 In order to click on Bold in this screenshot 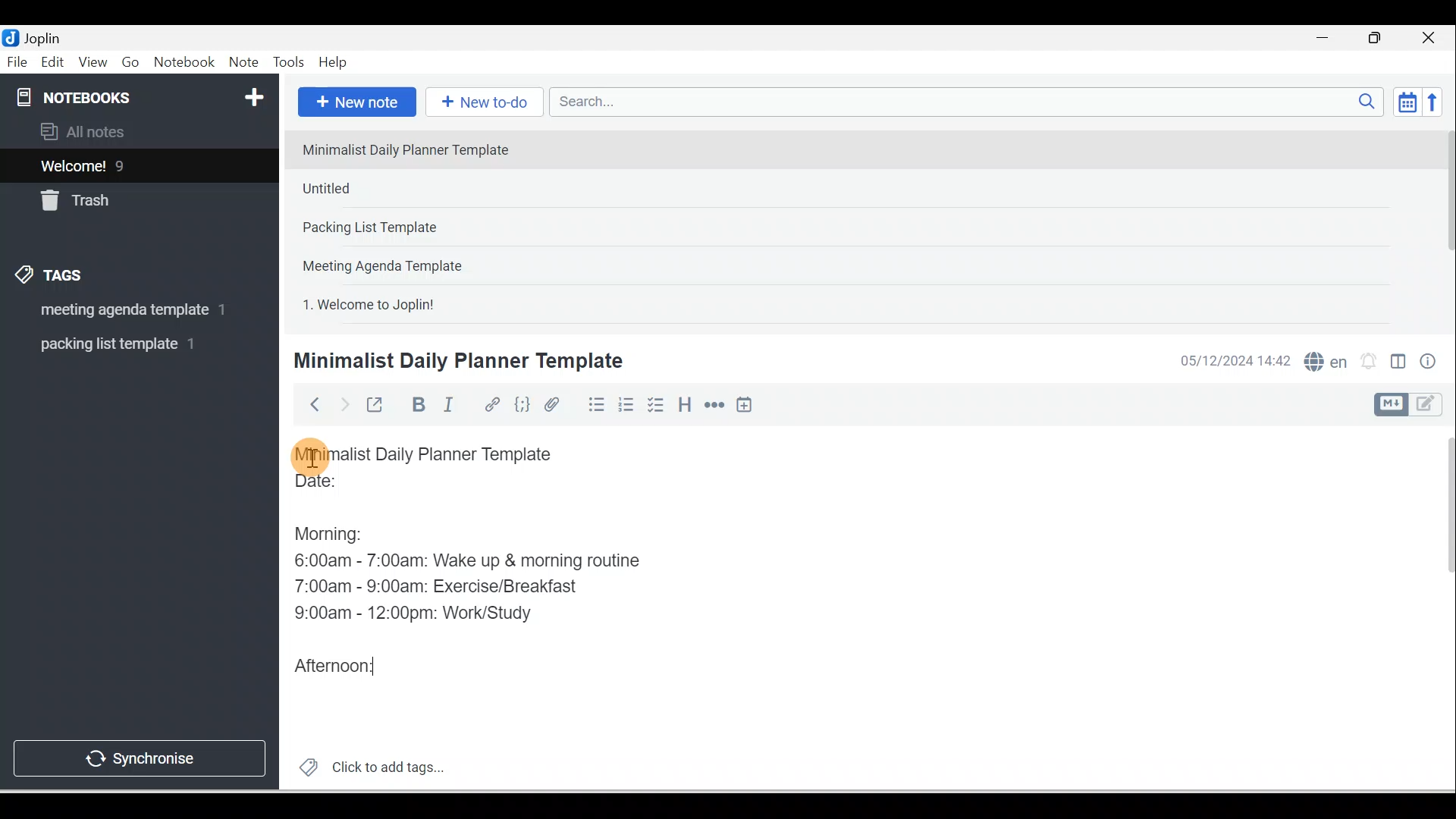, I will do `click(416, 405)`.